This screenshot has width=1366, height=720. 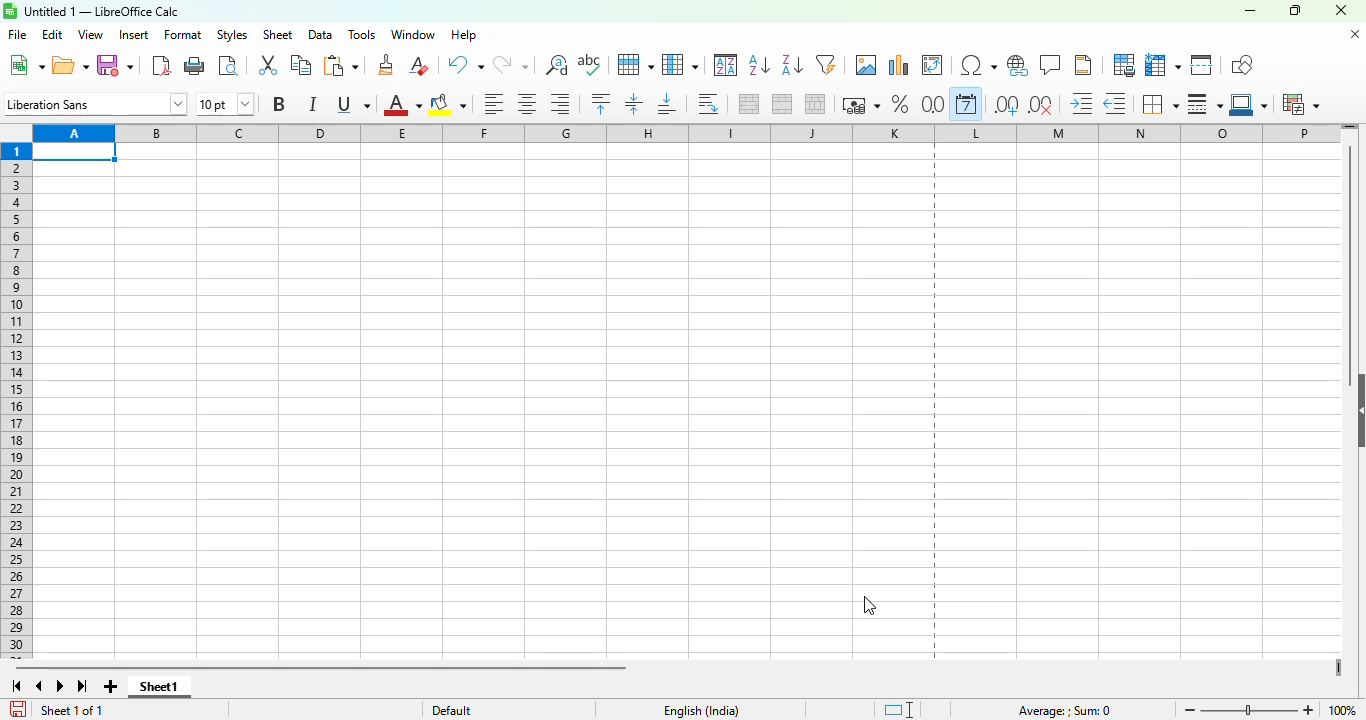 What do you see at coordinates (792, 65) in the screenshot?
I see `sort descending` at bounding box center [792, 65].